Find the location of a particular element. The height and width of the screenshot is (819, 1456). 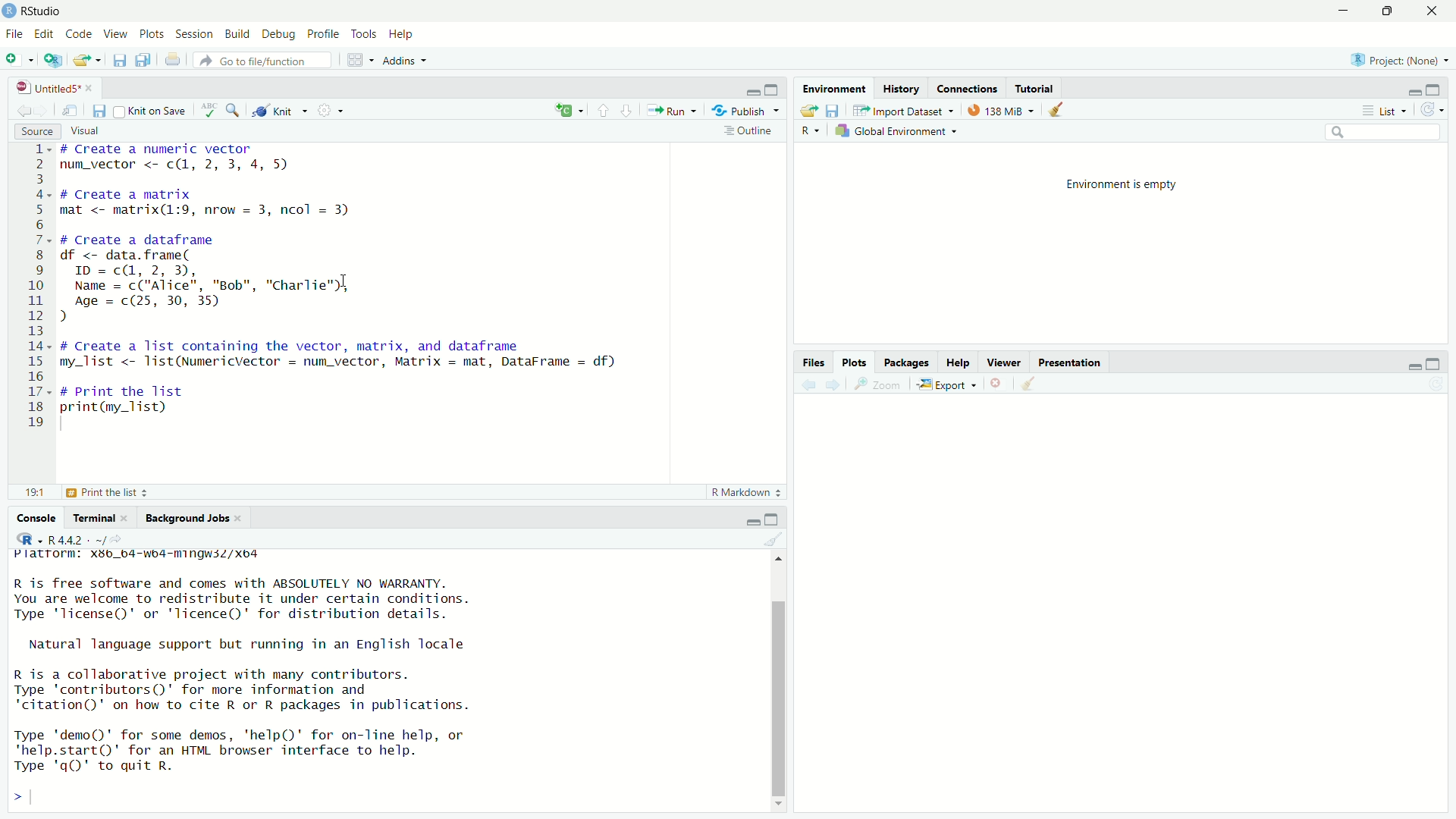

search is located at coordinates (1384, 134).